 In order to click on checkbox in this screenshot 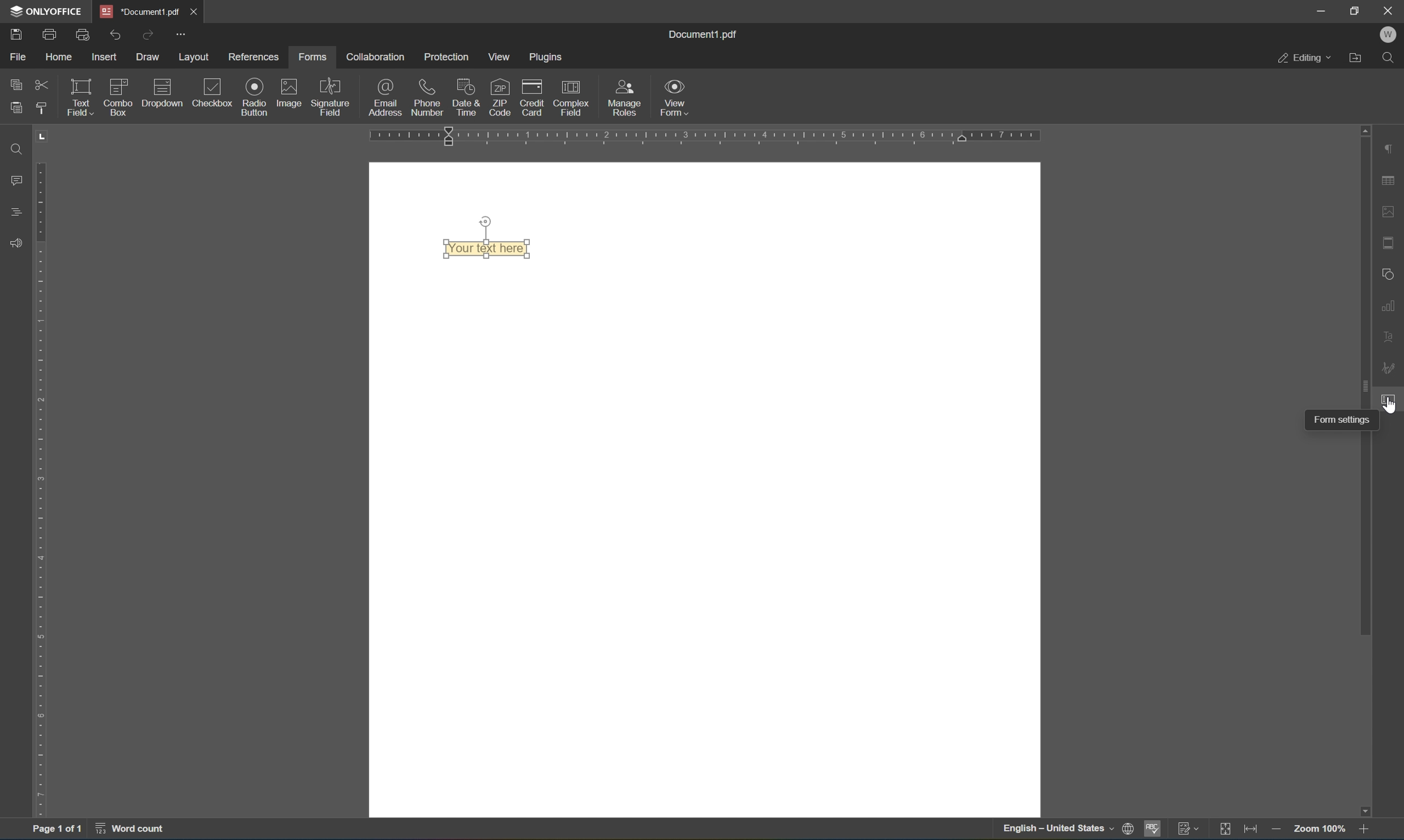, I will do `click(215, 91)`.